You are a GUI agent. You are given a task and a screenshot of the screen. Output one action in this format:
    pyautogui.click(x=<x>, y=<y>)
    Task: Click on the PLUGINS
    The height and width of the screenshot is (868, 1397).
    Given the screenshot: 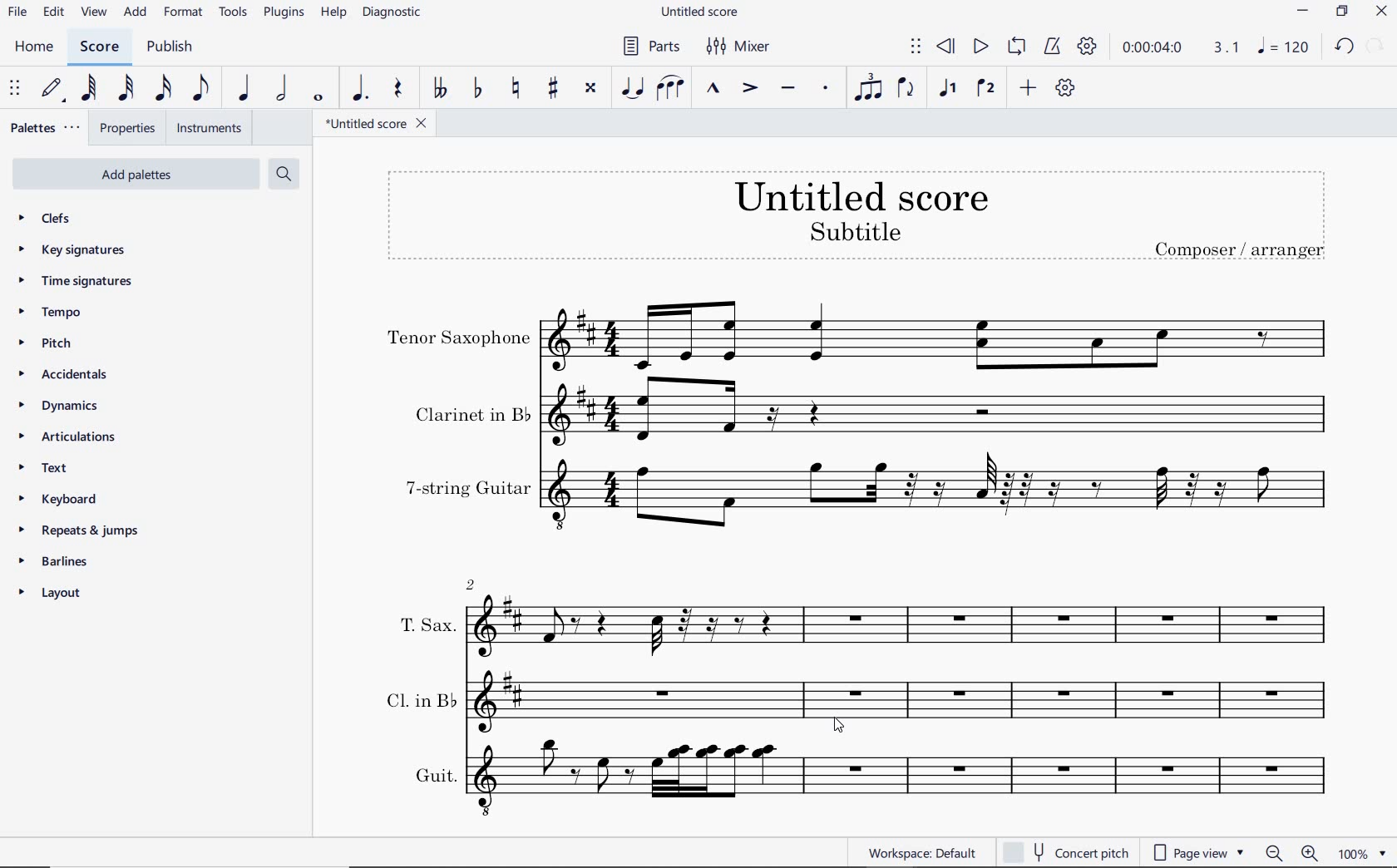 What is the action you would take?
    pyautogui.click(x=286, y=16)
    